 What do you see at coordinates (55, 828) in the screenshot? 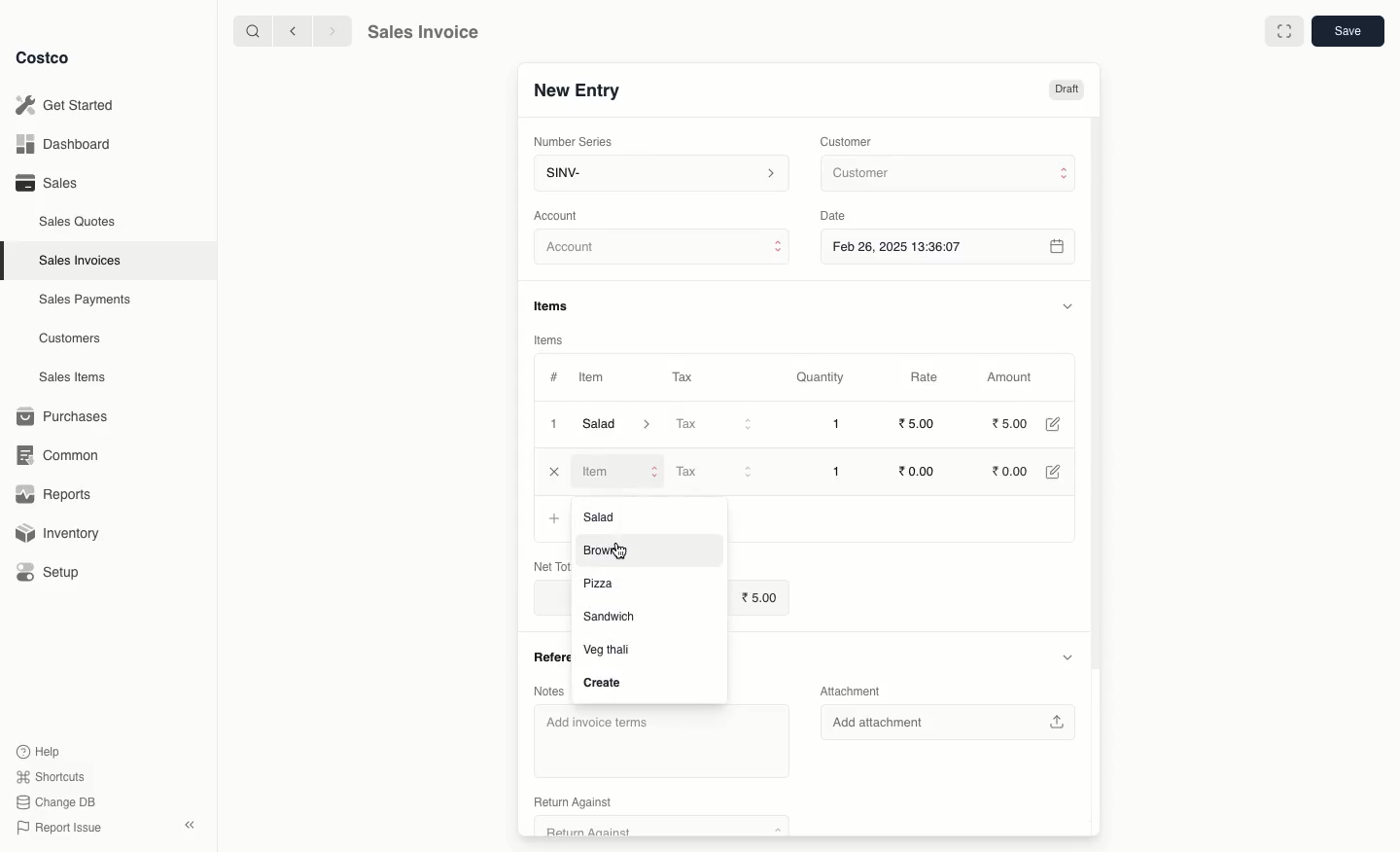
I see `Report Issue` at bounding box center [55, 828].